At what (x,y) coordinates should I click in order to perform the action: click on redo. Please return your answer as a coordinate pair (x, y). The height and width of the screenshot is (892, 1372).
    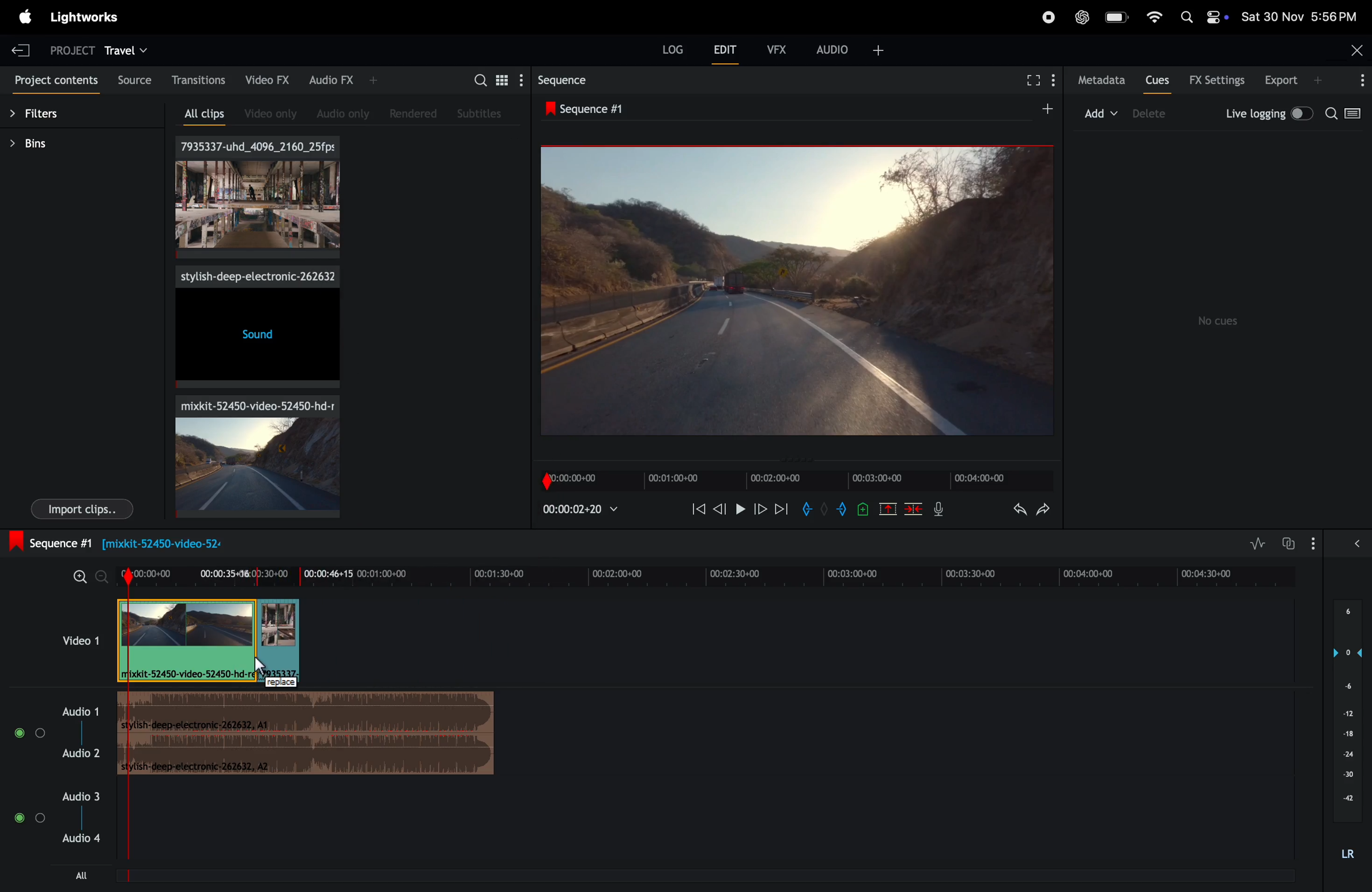
    Looking at the image, I should click on (1043, 511).